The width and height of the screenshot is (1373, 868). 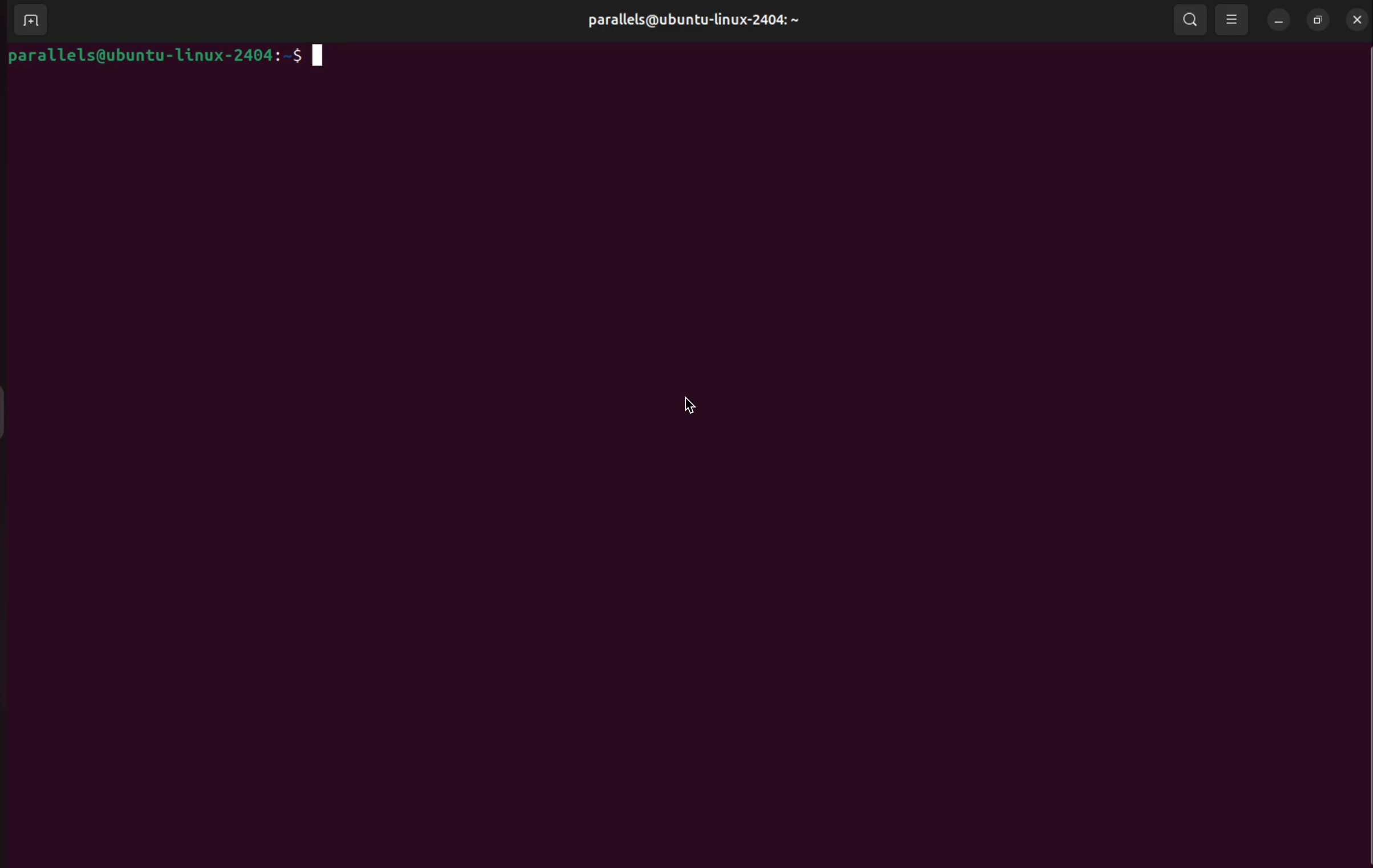 I want to click on cursor, so click(x=690, y=404).